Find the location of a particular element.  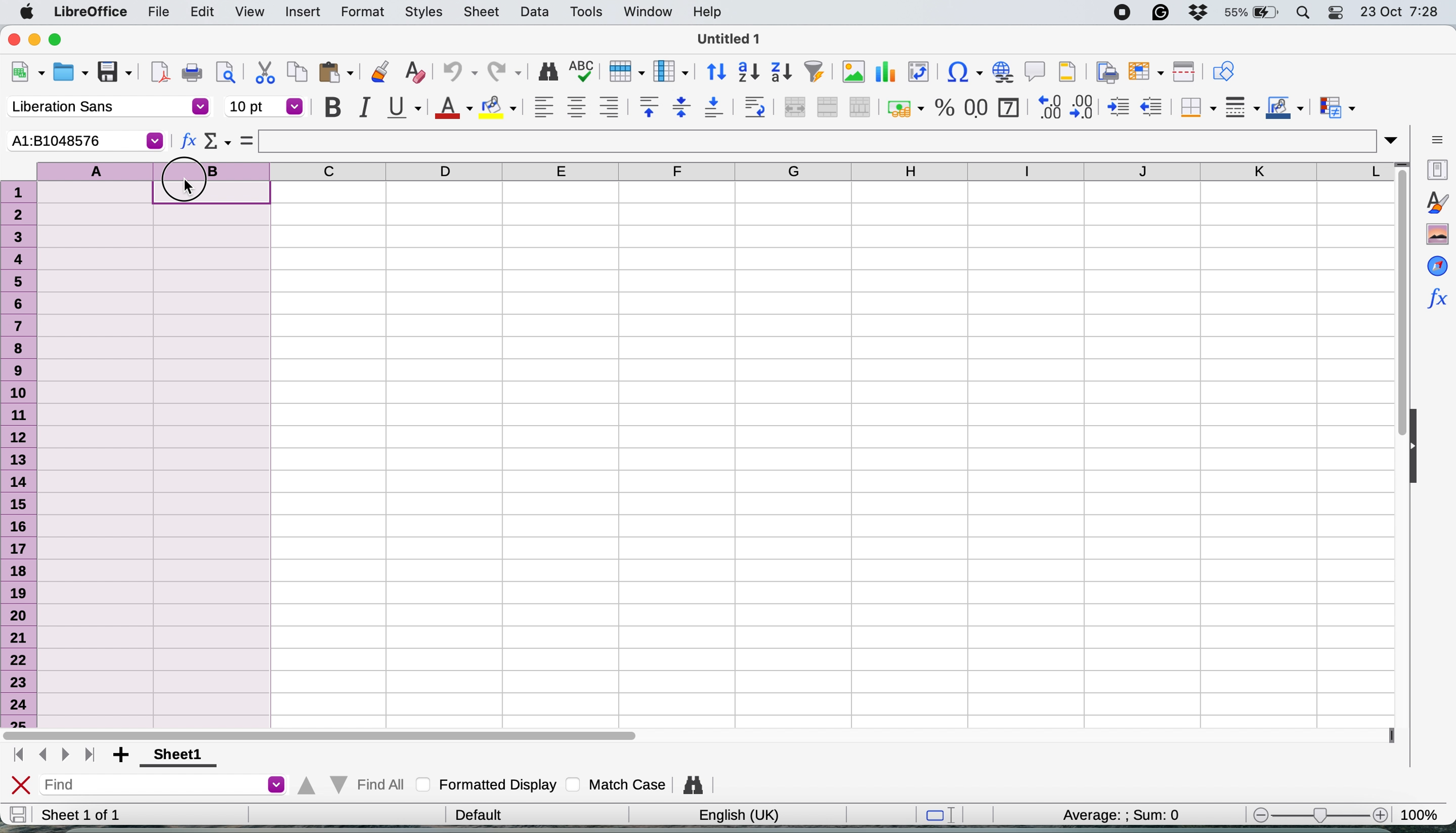

collapse is located at coordinates (1417, 444).